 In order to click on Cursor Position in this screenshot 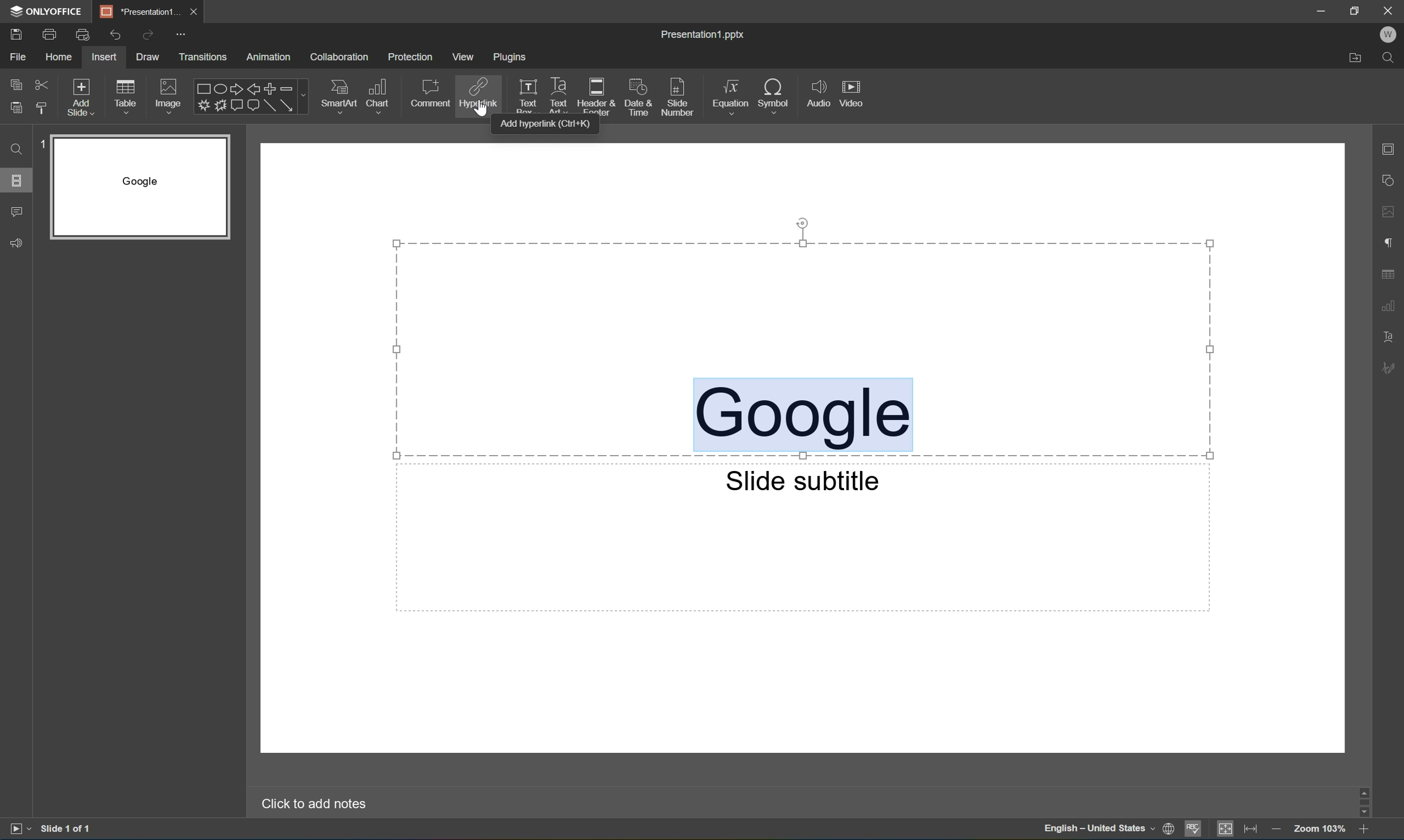, I will do `click(481, 110)`.